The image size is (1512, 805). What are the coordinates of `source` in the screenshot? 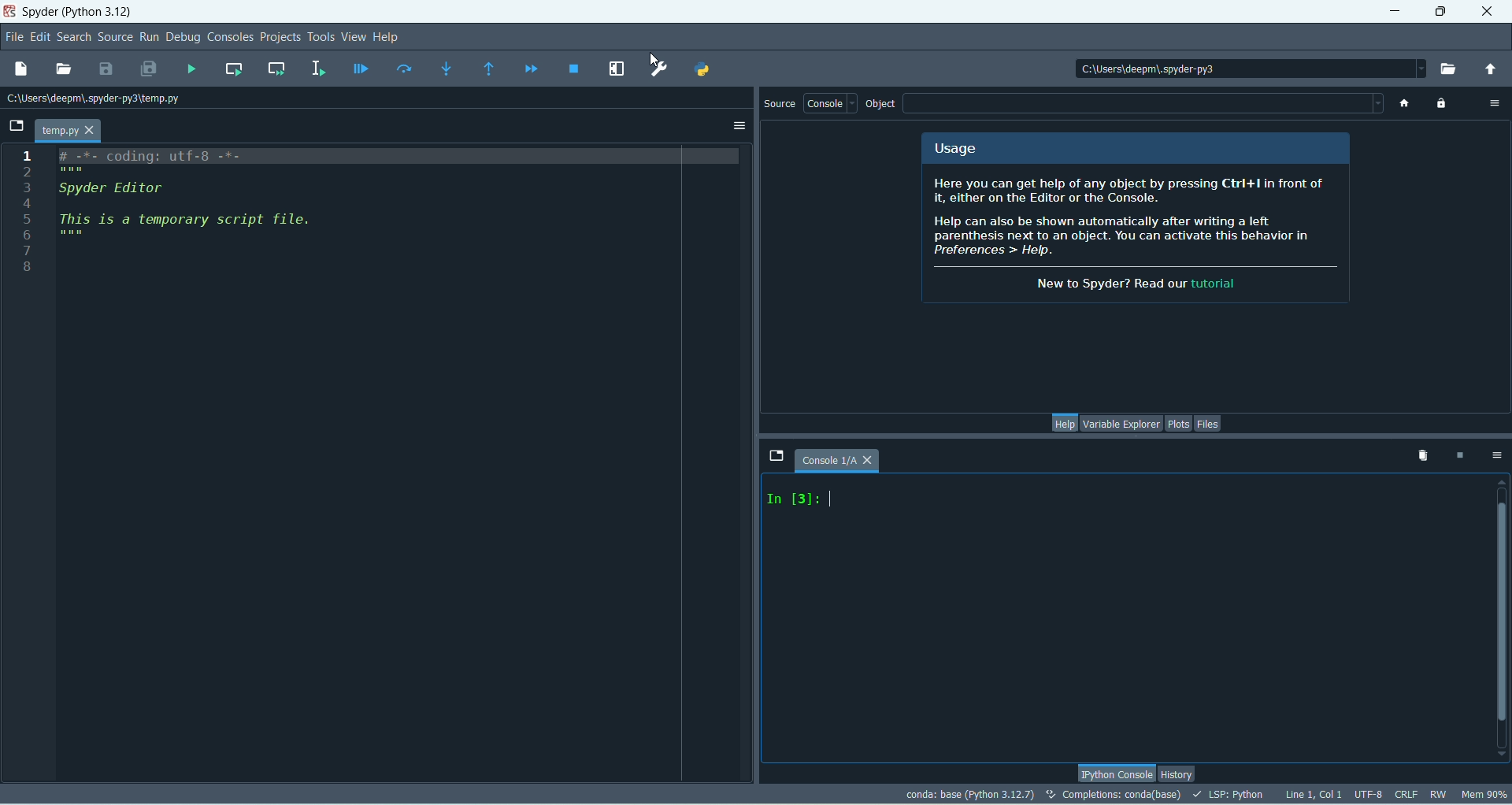 It's located at (781, 105).